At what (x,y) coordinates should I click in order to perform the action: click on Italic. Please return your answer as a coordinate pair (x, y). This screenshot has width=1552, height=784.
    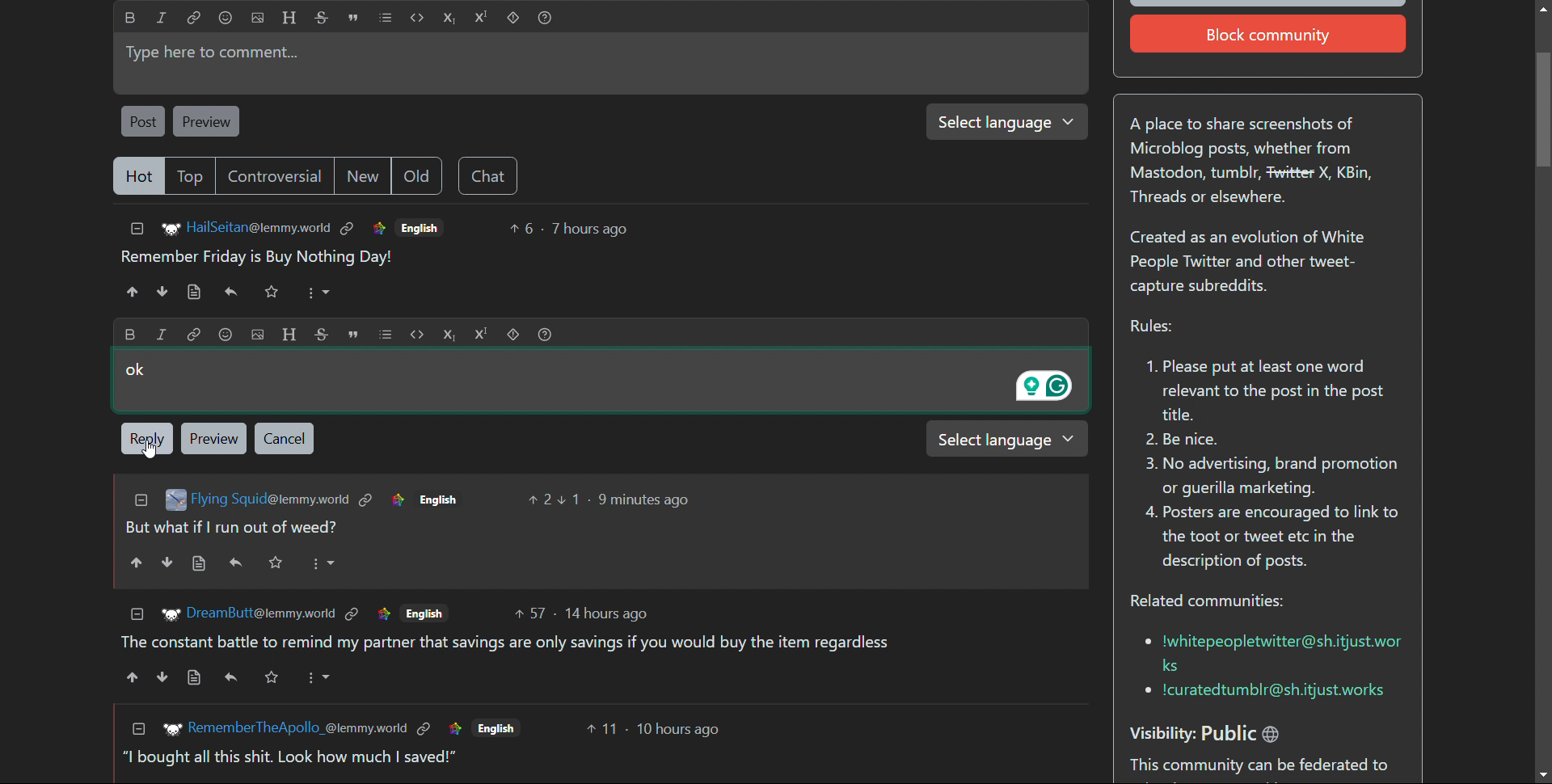
    Looking at the image, I should click on (163, 332).